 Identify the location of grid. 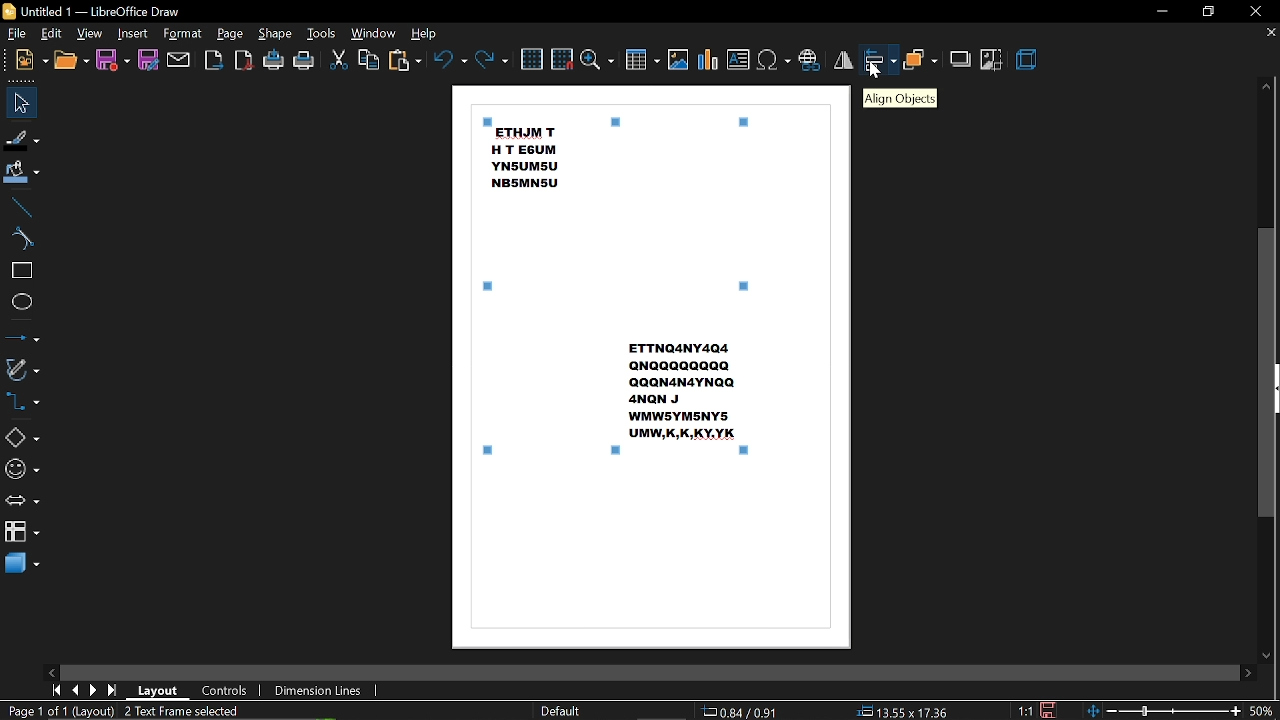
(532, 58).